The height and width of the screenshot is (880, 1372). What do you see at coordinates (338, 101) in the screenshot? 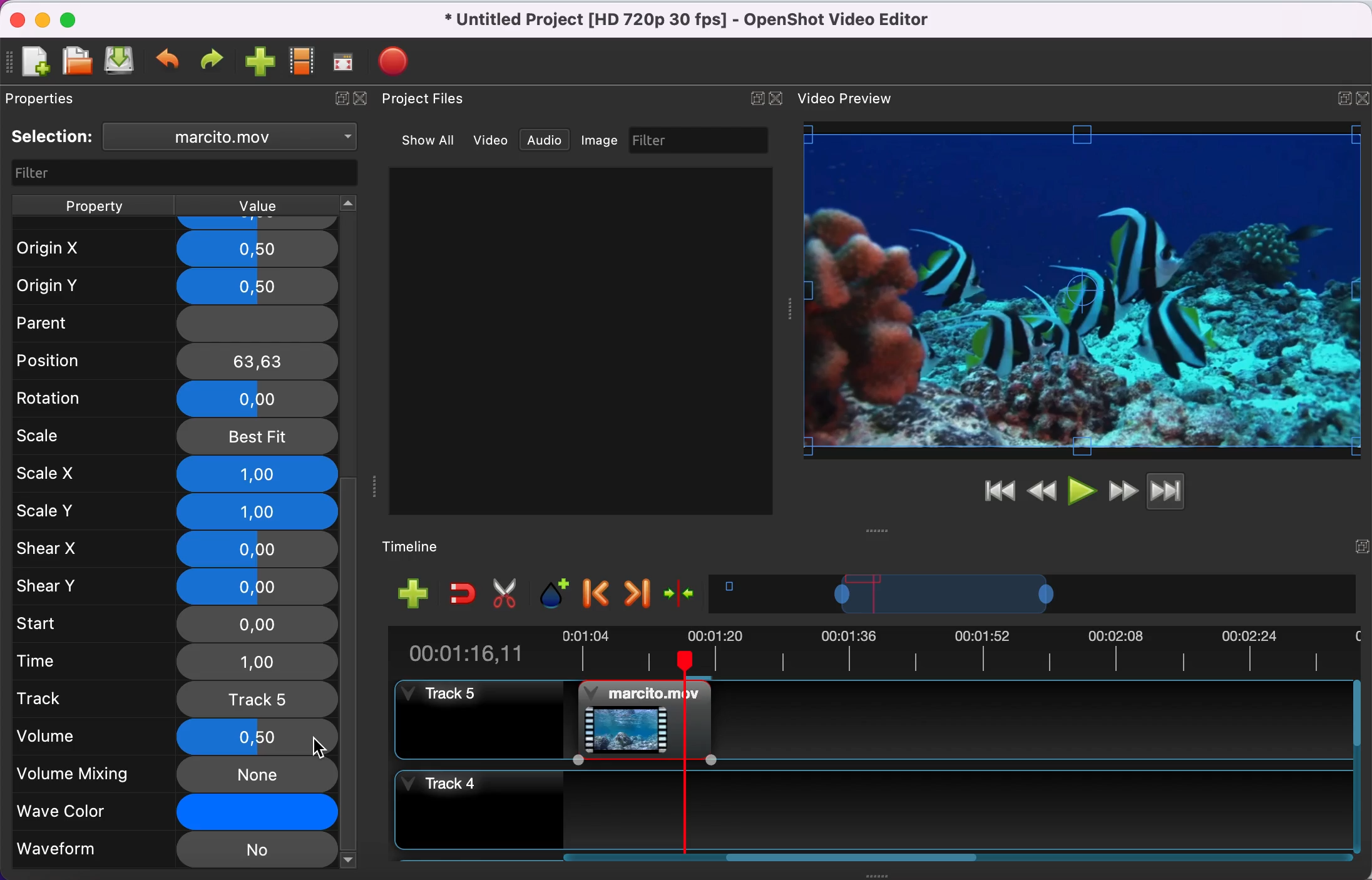
I see `expand/hide` at bounding box center [338, 101].